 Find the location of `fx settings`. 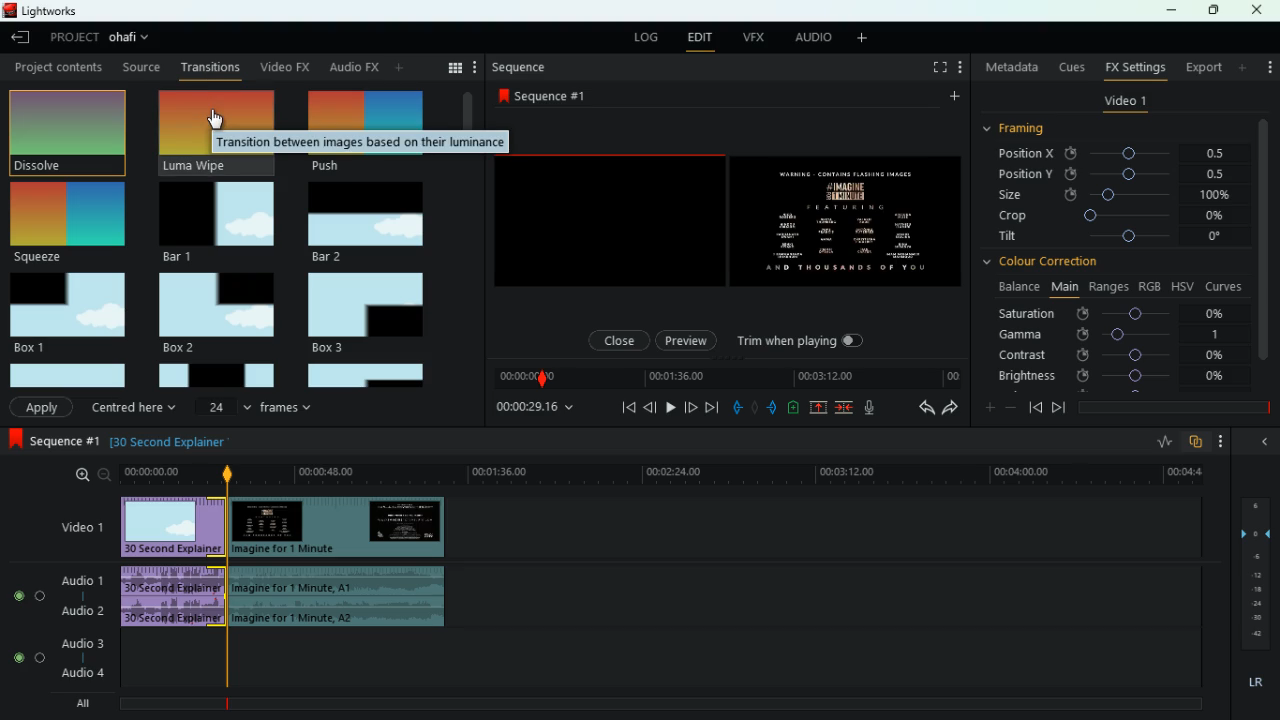

fx settings is located at coordinates (1134, 66).